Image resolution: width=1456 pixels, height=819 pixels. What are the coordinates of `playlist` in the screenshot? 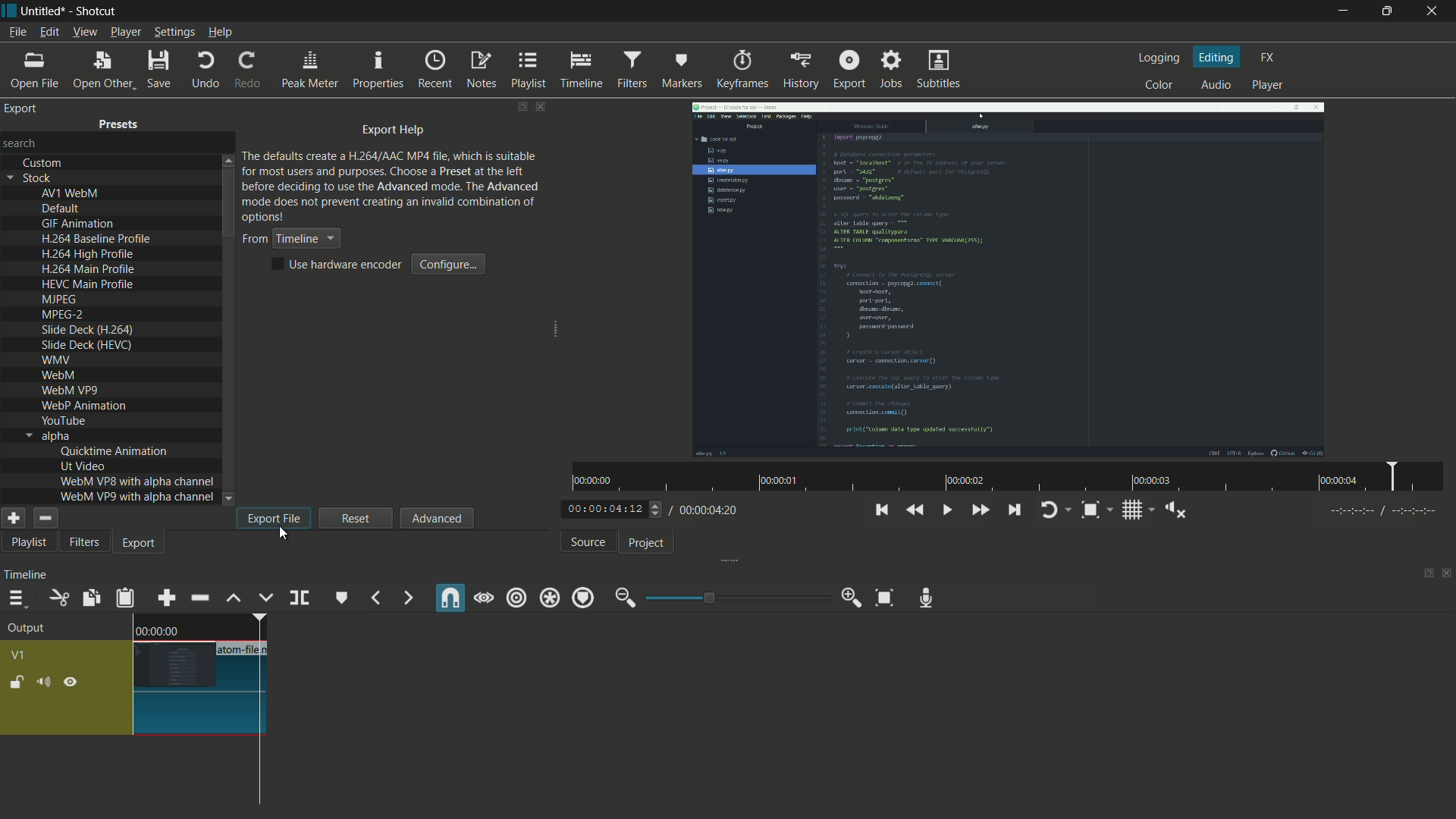 It's located at (527, 71).